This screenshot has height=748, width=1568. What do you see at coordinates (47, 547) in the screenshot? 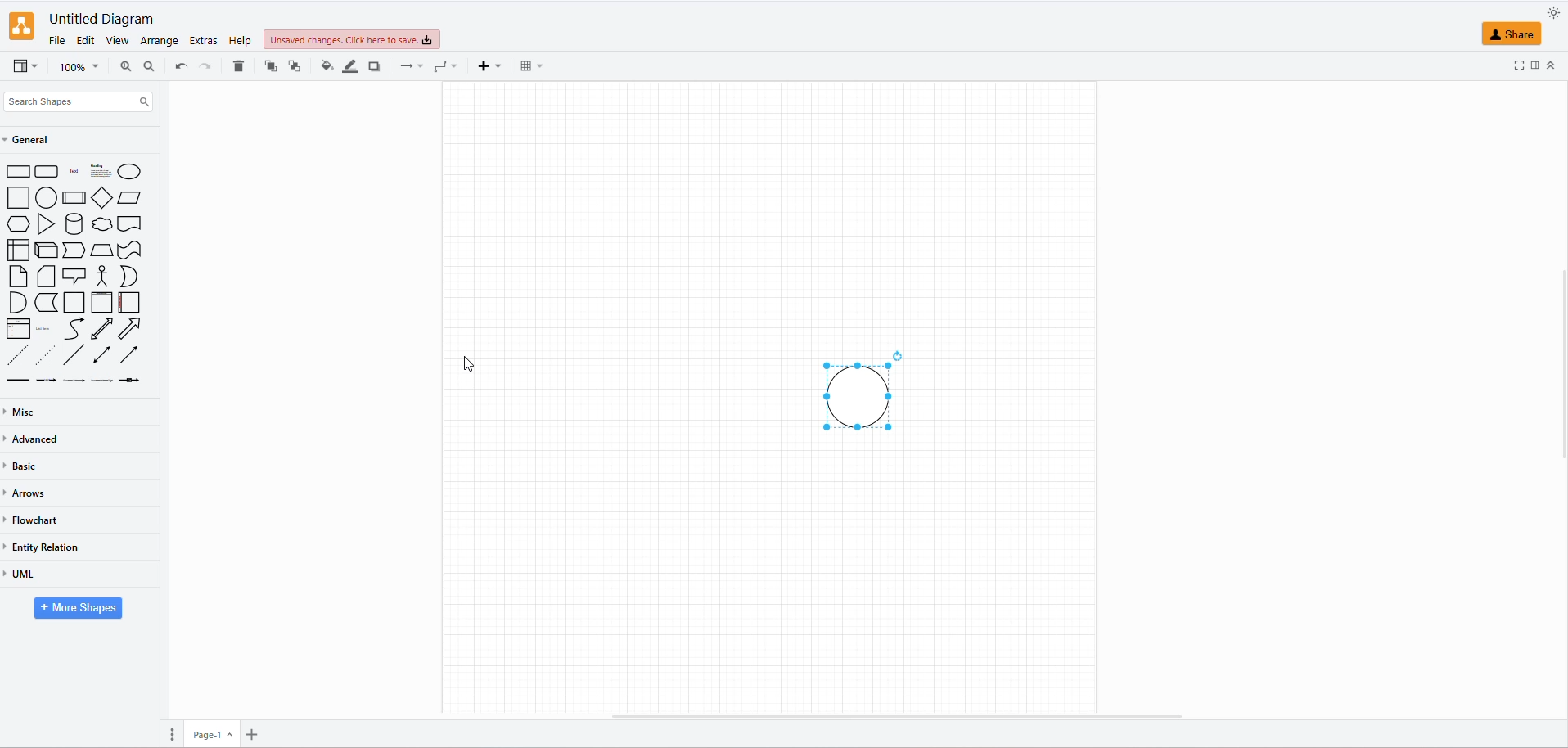
I see `ENTITY RELATION` at bounding box center [47, 547].